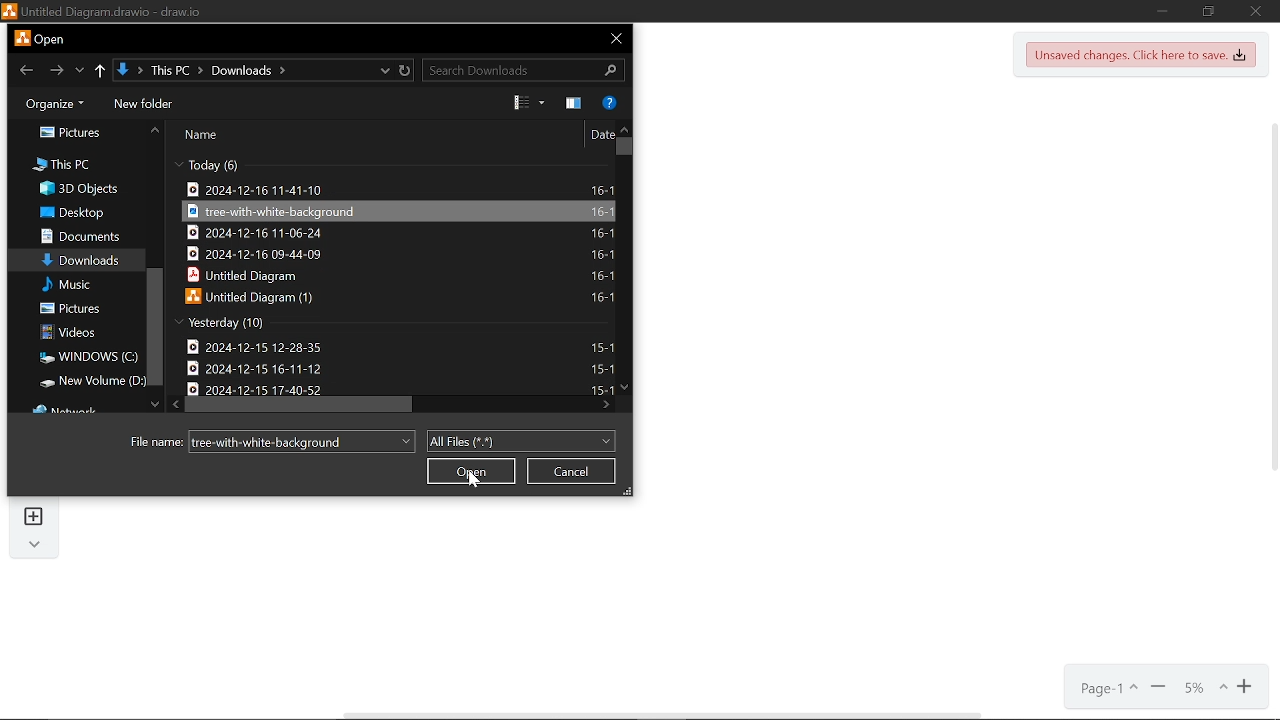 This screenshot has height=720, width=1280. I want to click on Refresh, so click(405, 73).